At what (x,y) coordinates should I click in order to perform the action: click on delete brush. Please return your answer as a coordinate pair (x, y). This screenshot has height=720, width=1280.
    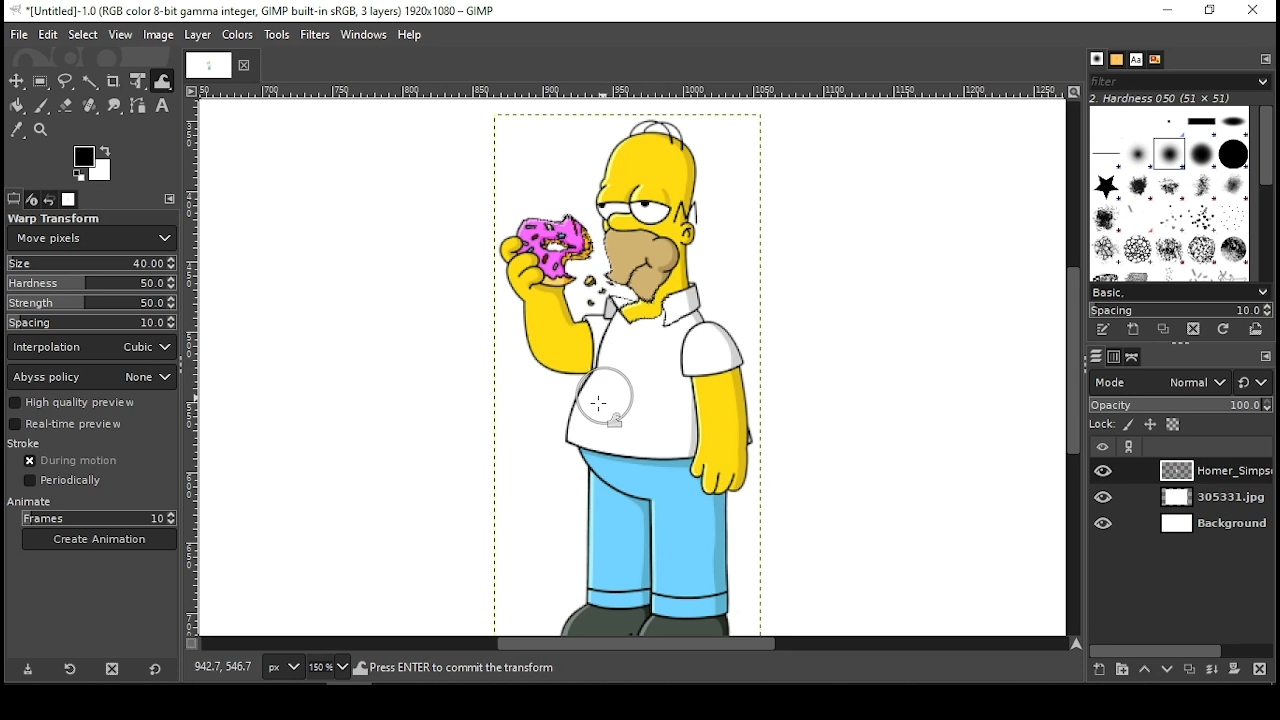
    Looking at the image, I should click on (1193, 329).